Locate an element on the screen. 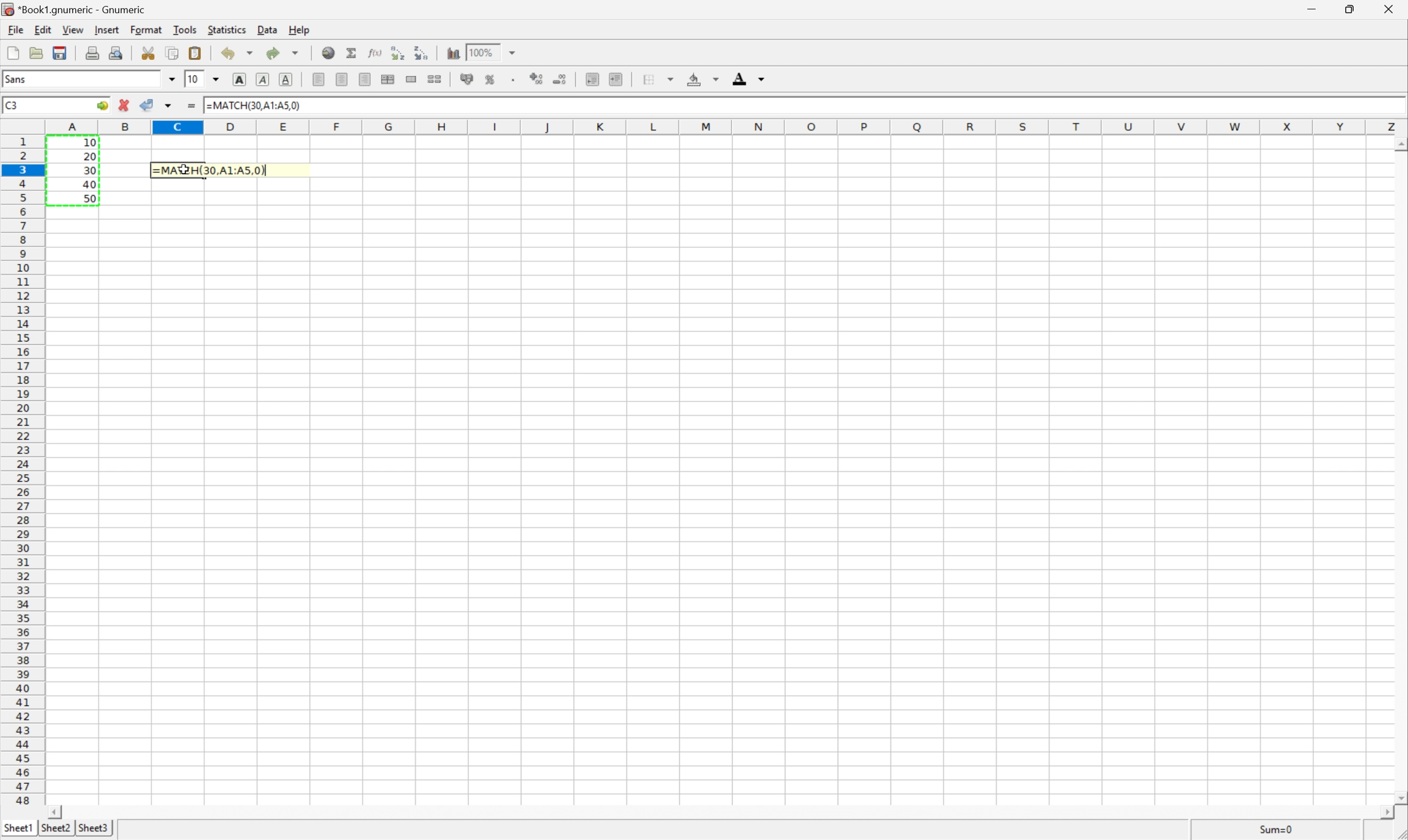 This screenshot has height=840, width=1408. File is located at coordinates (16, 29).